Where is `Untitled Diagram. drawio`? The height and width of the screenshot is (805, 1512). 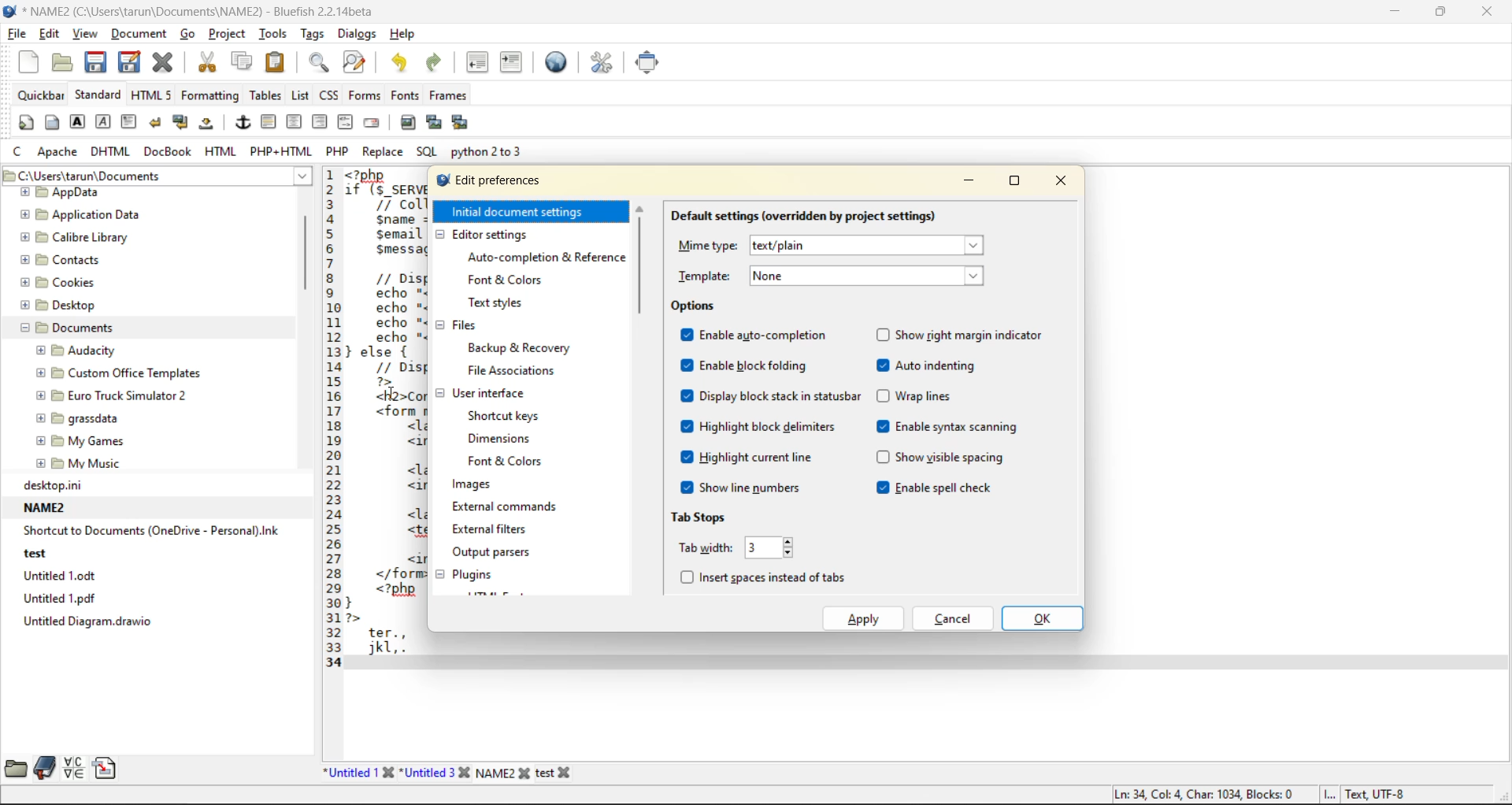 Untitled Diagram. drawio is located at coordinates (82, 621).